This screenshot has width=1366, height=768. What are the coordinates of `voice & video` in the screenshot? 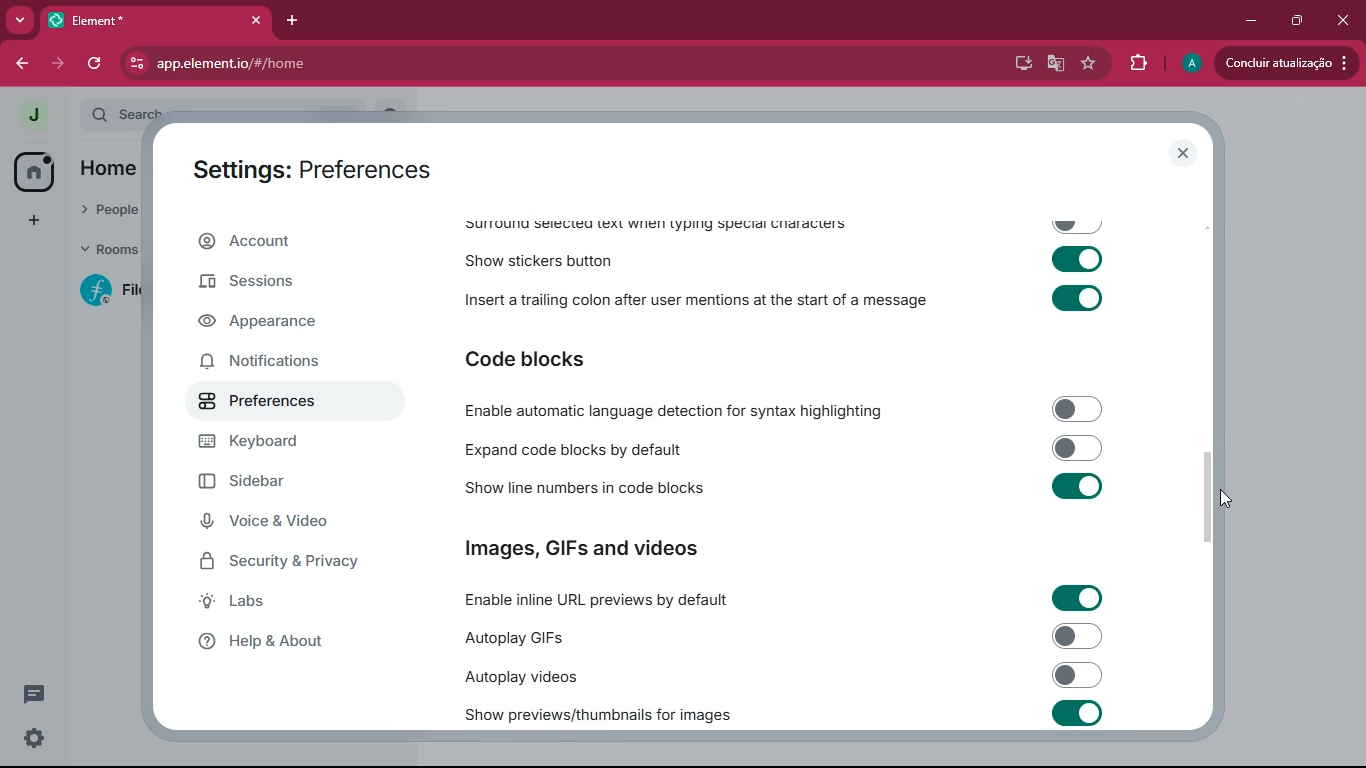 It's located at (296, 524).